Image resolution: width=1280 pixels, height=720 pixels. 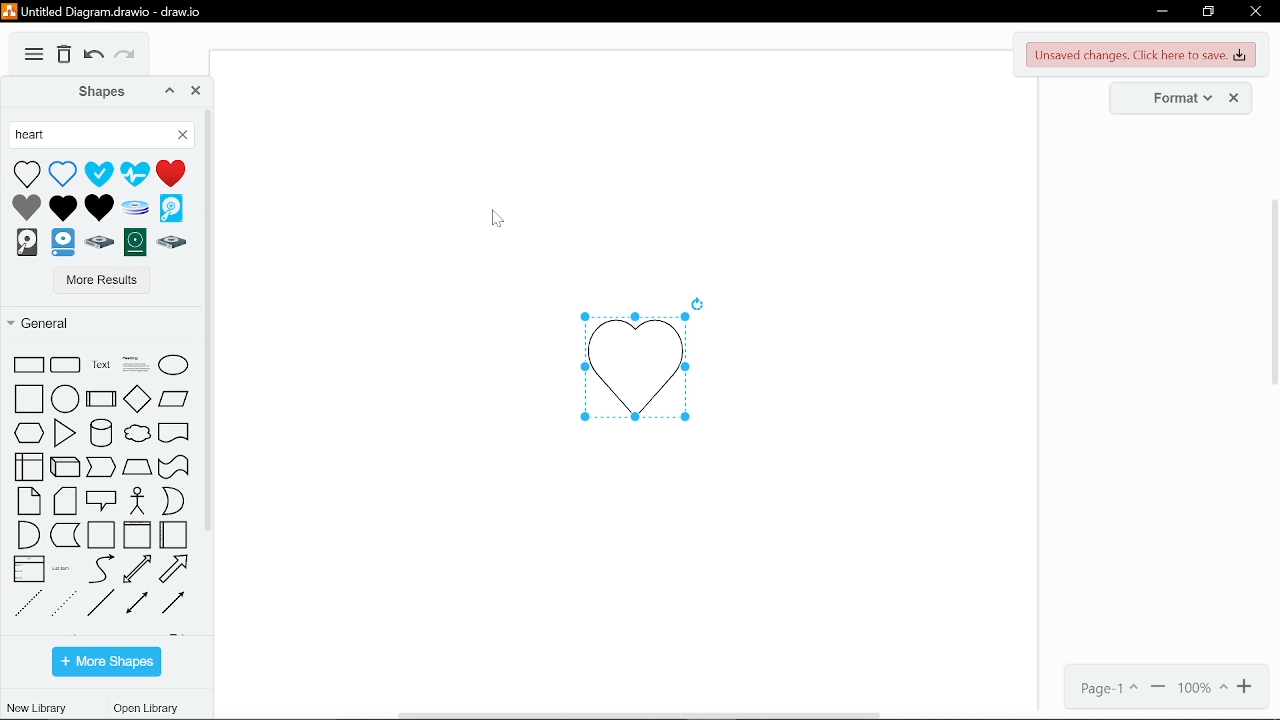 I want to click on rectangle, so click(x=30, y=365).